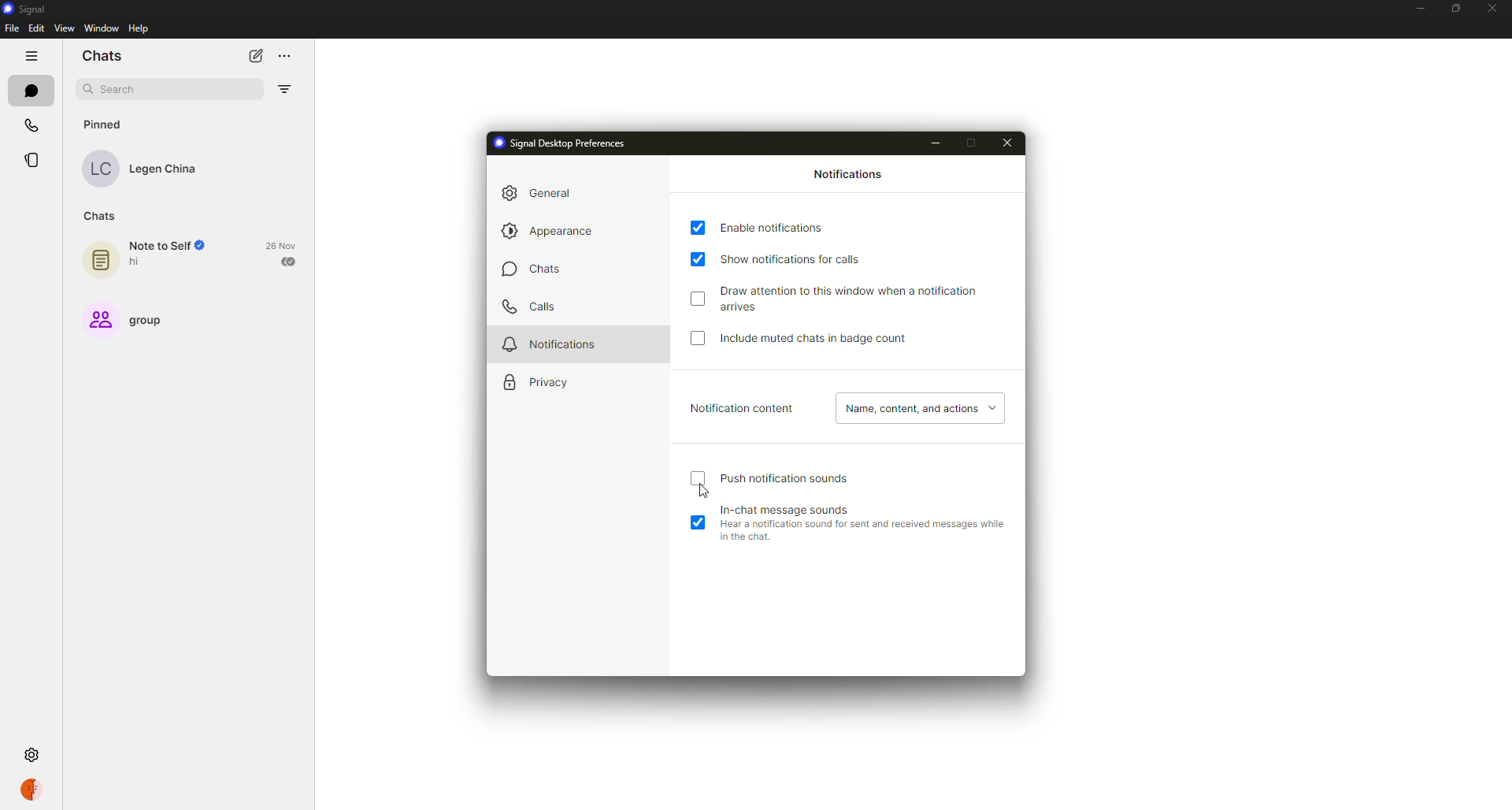 The image size is (1512, 810). Describe the element at coordinates (129, 319) in the screenshot. I see `group` at that location.